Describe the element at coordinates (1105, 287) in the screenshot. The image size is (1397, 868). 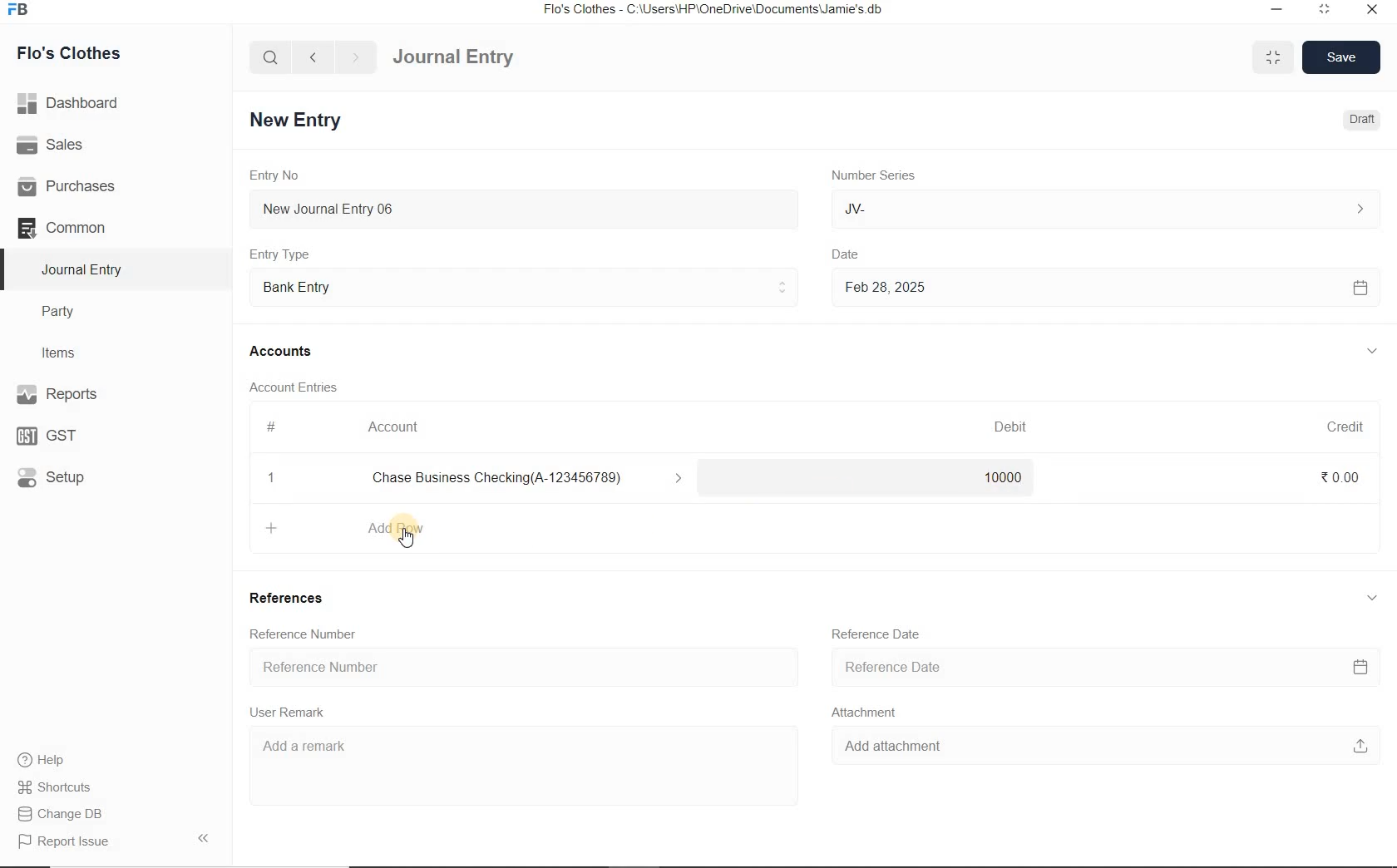
I see `Feb 28, 2025` at that location.